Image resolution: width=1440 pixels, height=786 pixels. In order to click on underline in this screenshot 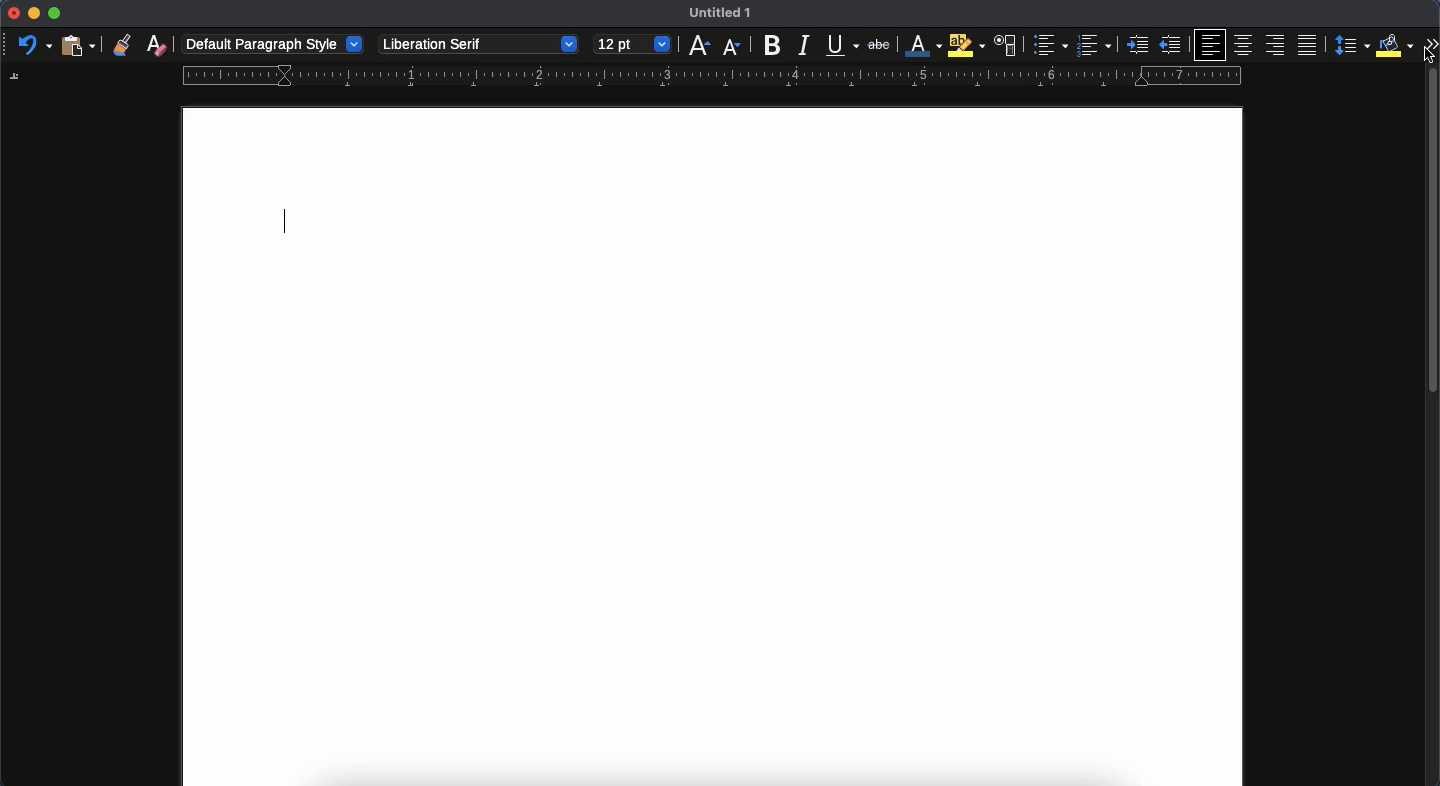, I will do `click(841, 44)`.